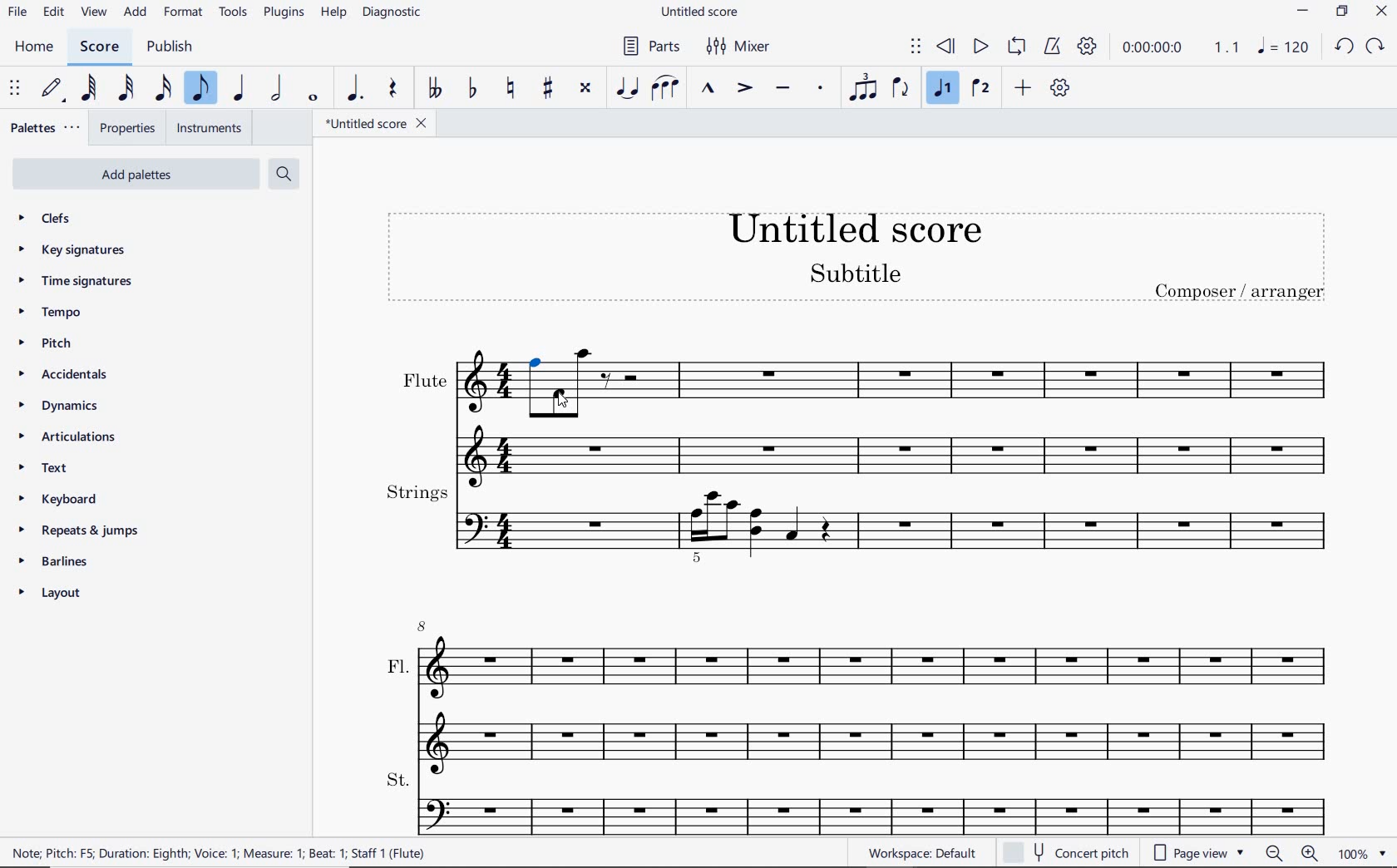 The image size is (1397, 868). Describe the element at coordinates (219, 854) in the screenshot. I see `NOTE: PITCH: F5; DURATION` at that location.